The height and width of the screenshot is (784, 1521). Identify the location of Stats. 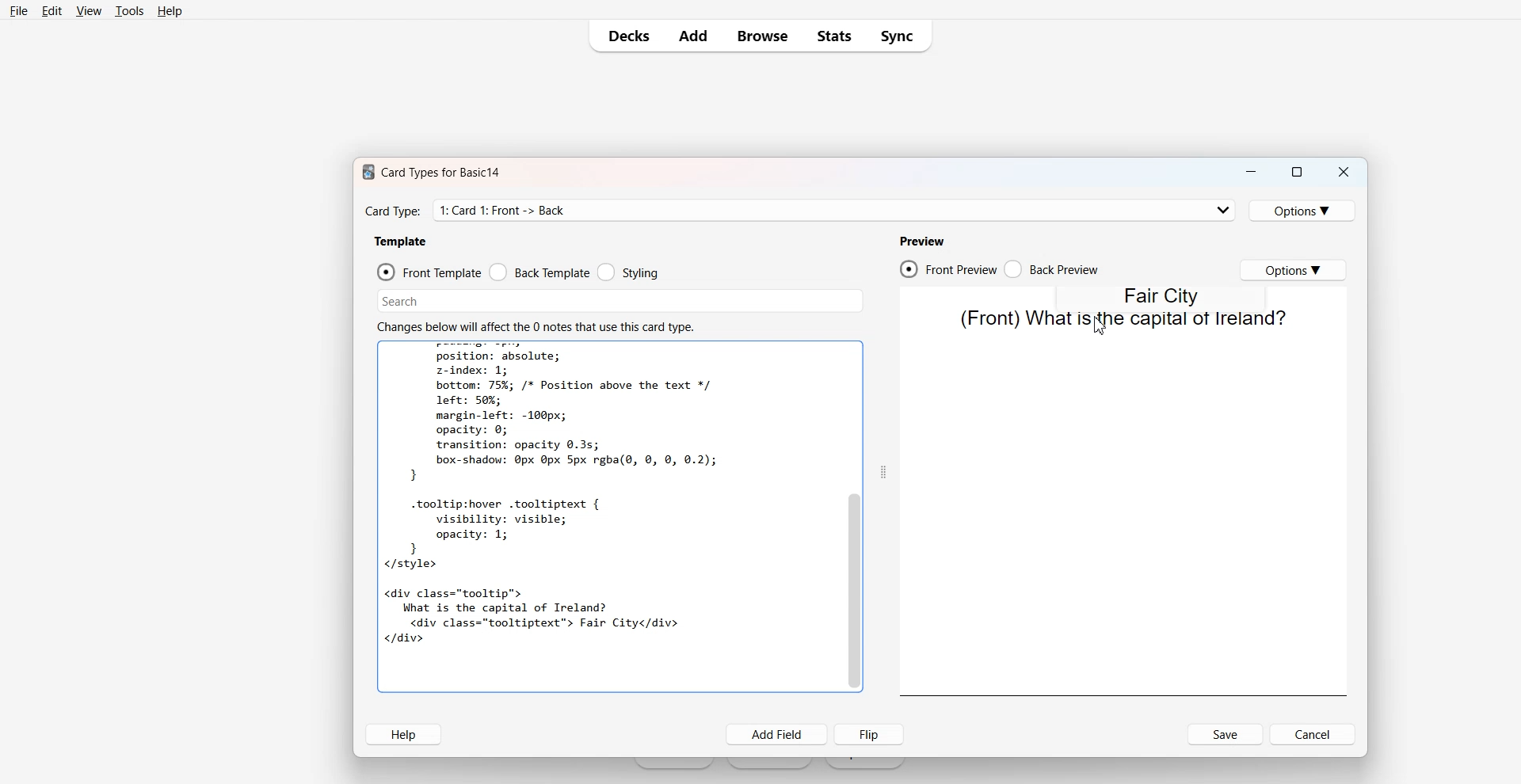
(833, 36).